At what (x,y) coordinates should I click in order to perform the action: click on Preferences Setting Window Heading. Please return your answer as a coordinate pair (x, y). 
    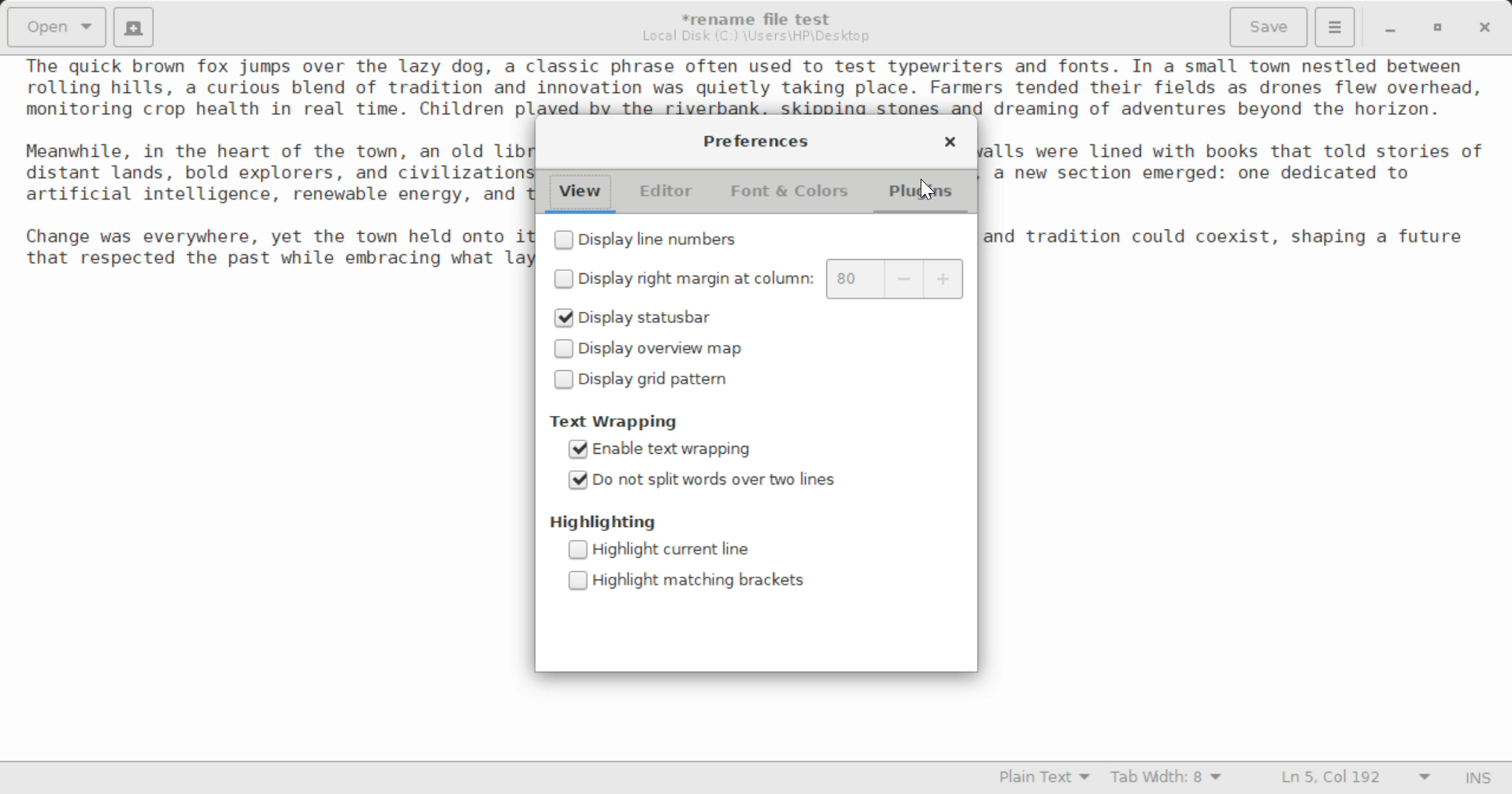
    Looking at the image, I should click on (755, 141).